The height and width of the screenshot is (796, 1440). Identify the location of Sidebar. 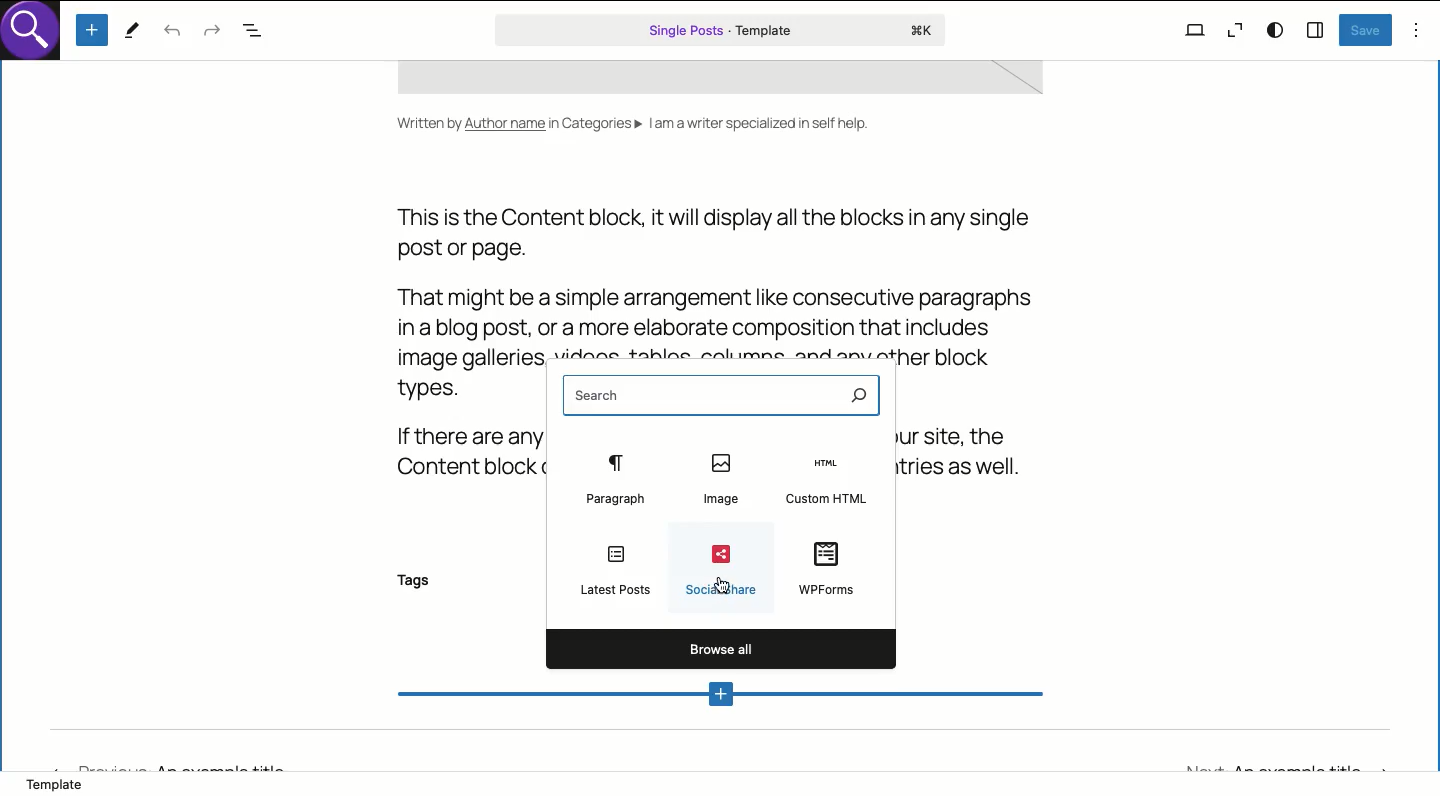
(1316, 28).